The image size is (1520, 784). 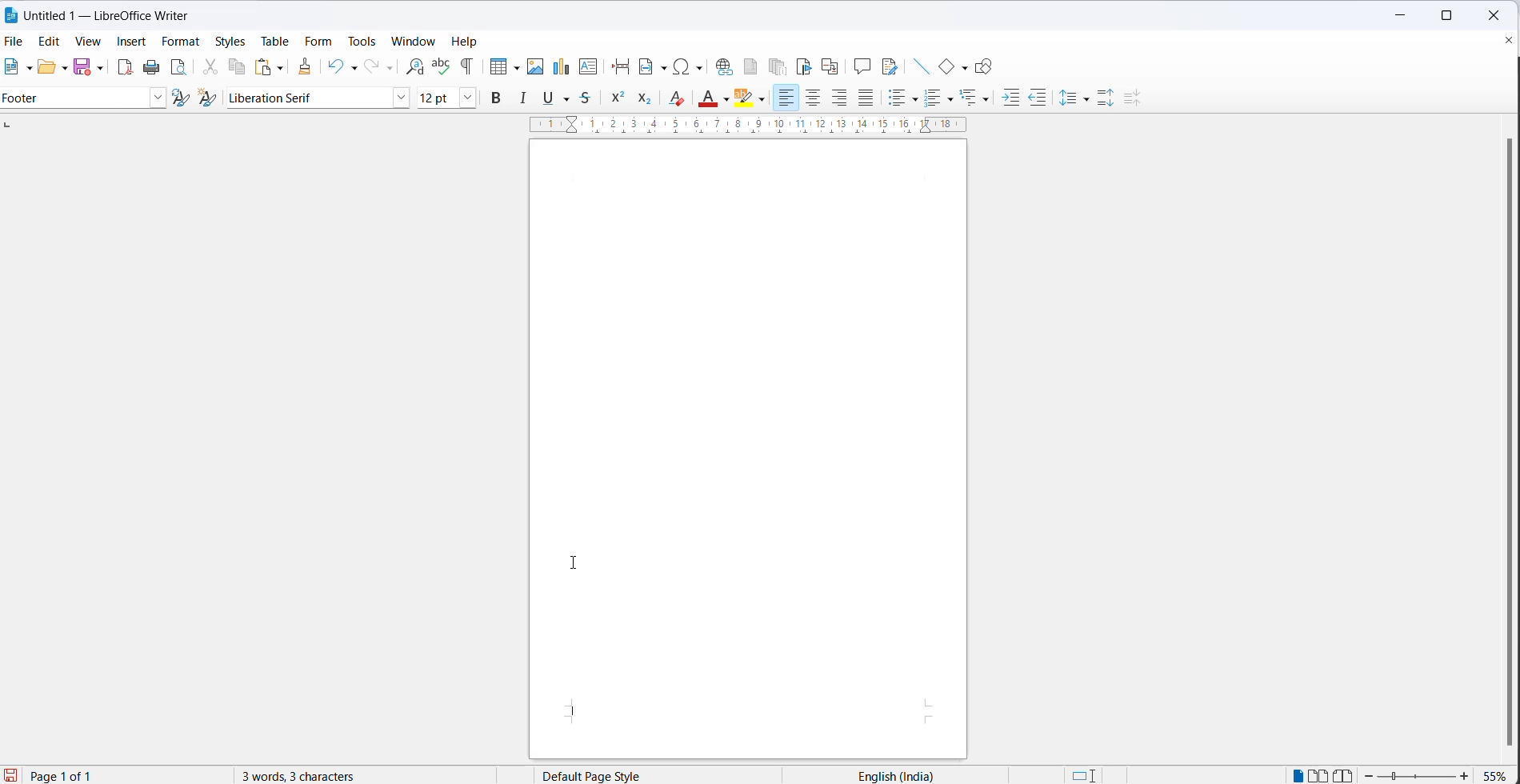 What do you see at coordinates (1498, 774) in the screenshot?
I see `zoom percentage` at bounding box center [1498, 774].